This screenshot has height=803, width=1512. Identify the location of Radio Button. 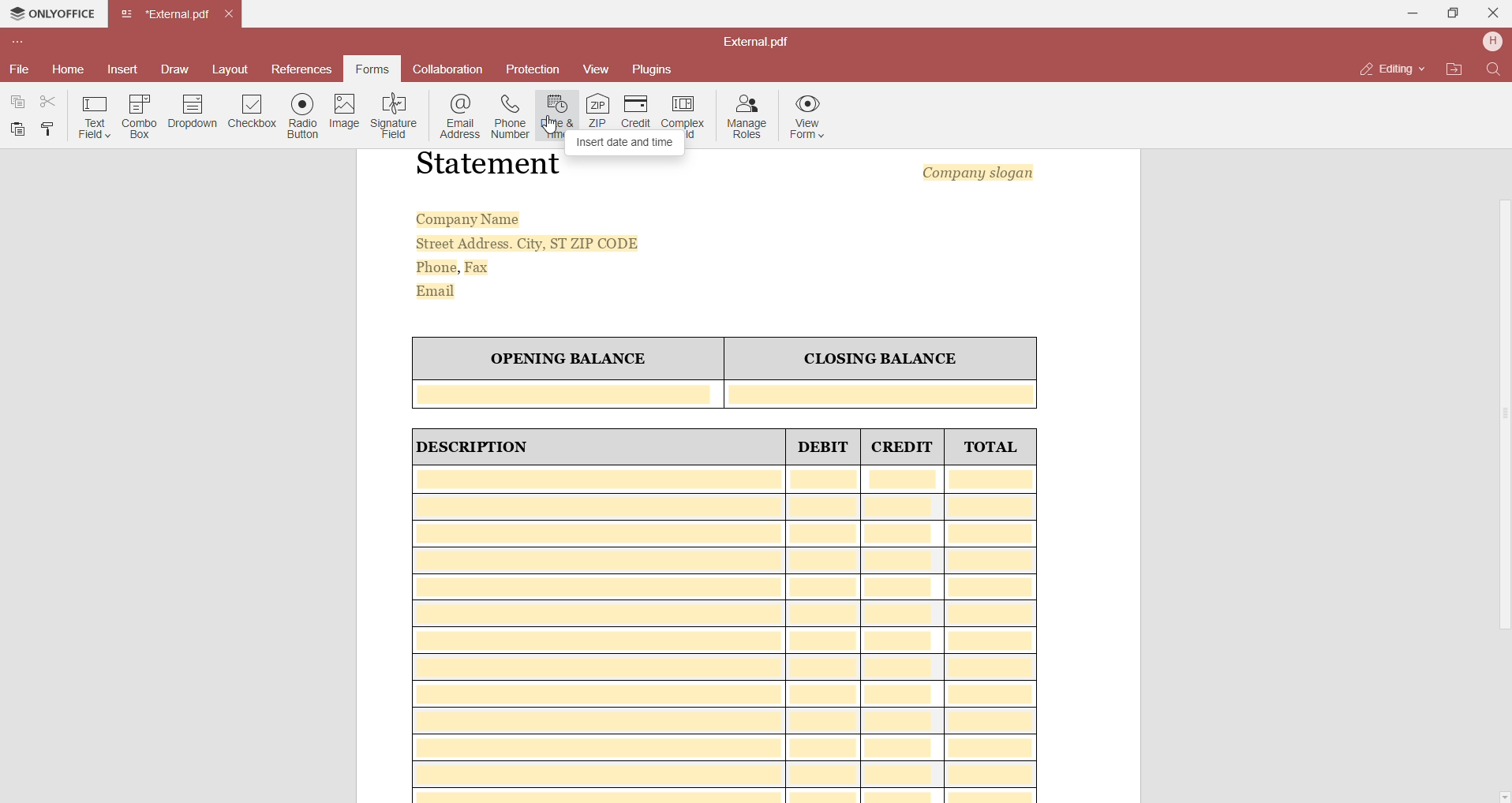
(300, 117).